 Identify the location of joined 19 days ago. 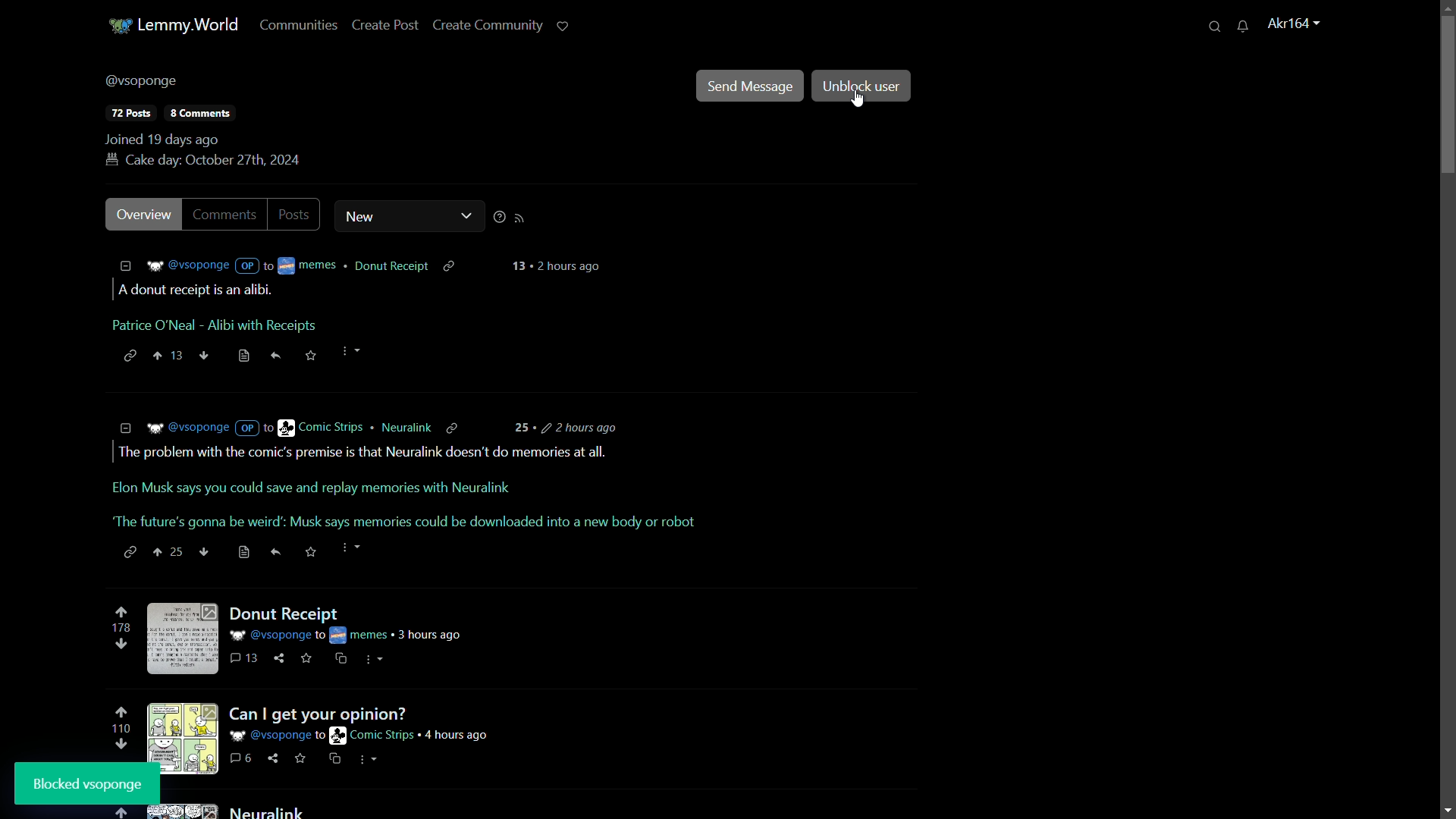
(162, 140).